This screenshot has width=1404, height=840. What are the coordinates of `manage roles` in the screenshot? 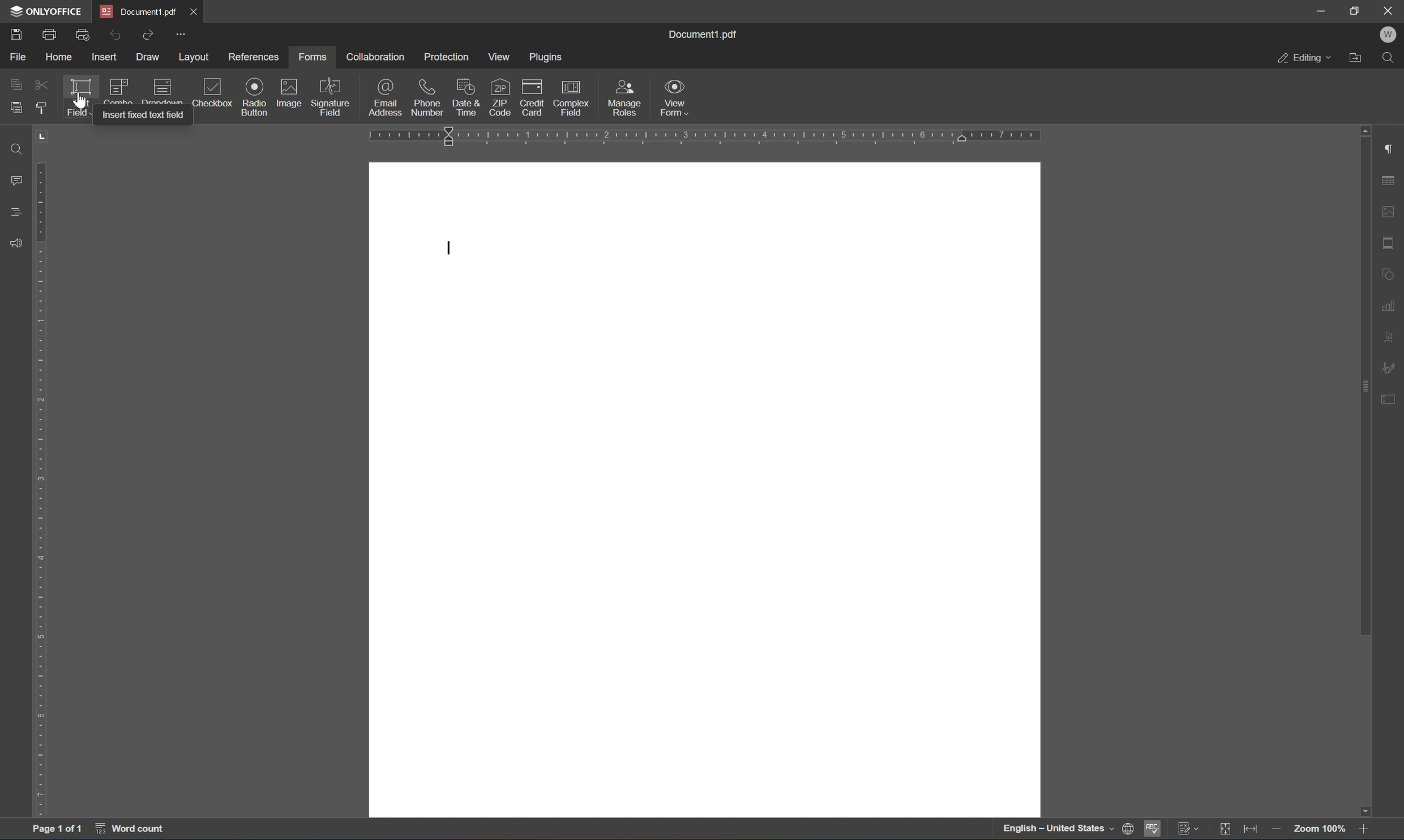 It's located at (628, 98).